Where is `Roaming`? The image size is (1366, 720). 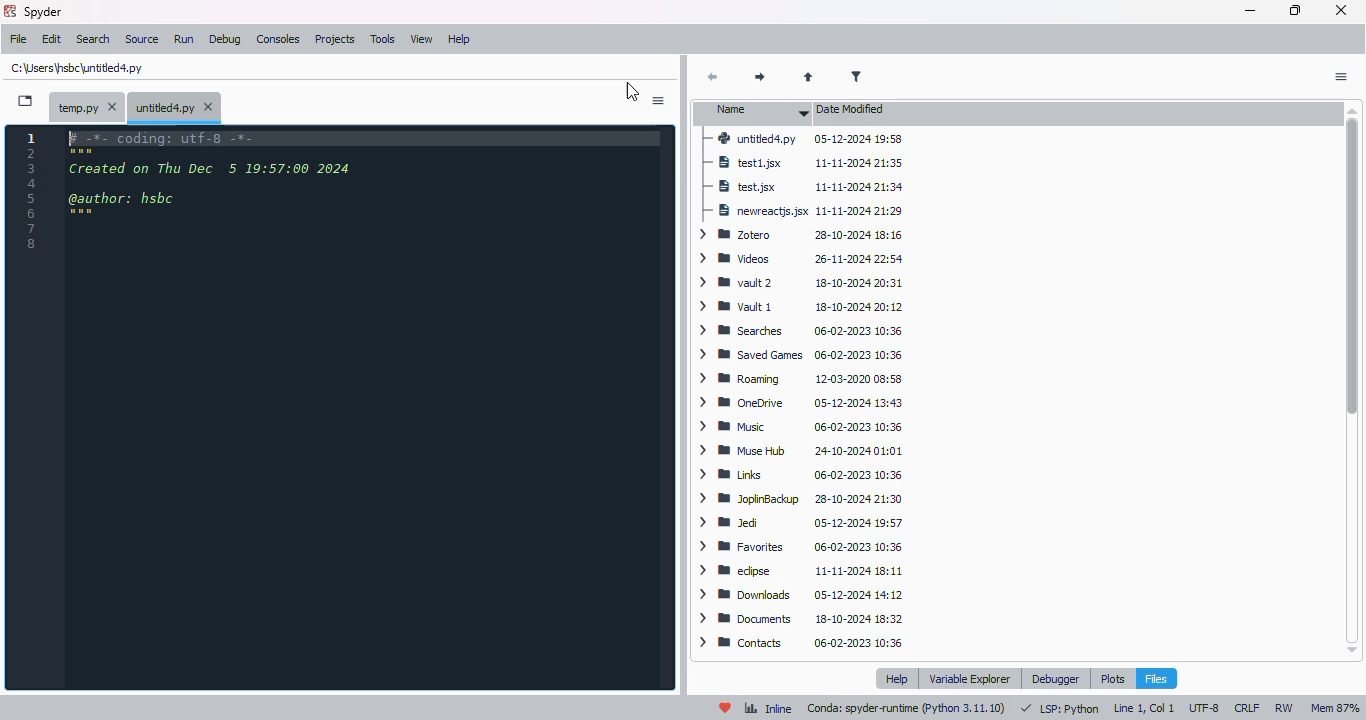 Roaming is located at coordinates (799, 428).